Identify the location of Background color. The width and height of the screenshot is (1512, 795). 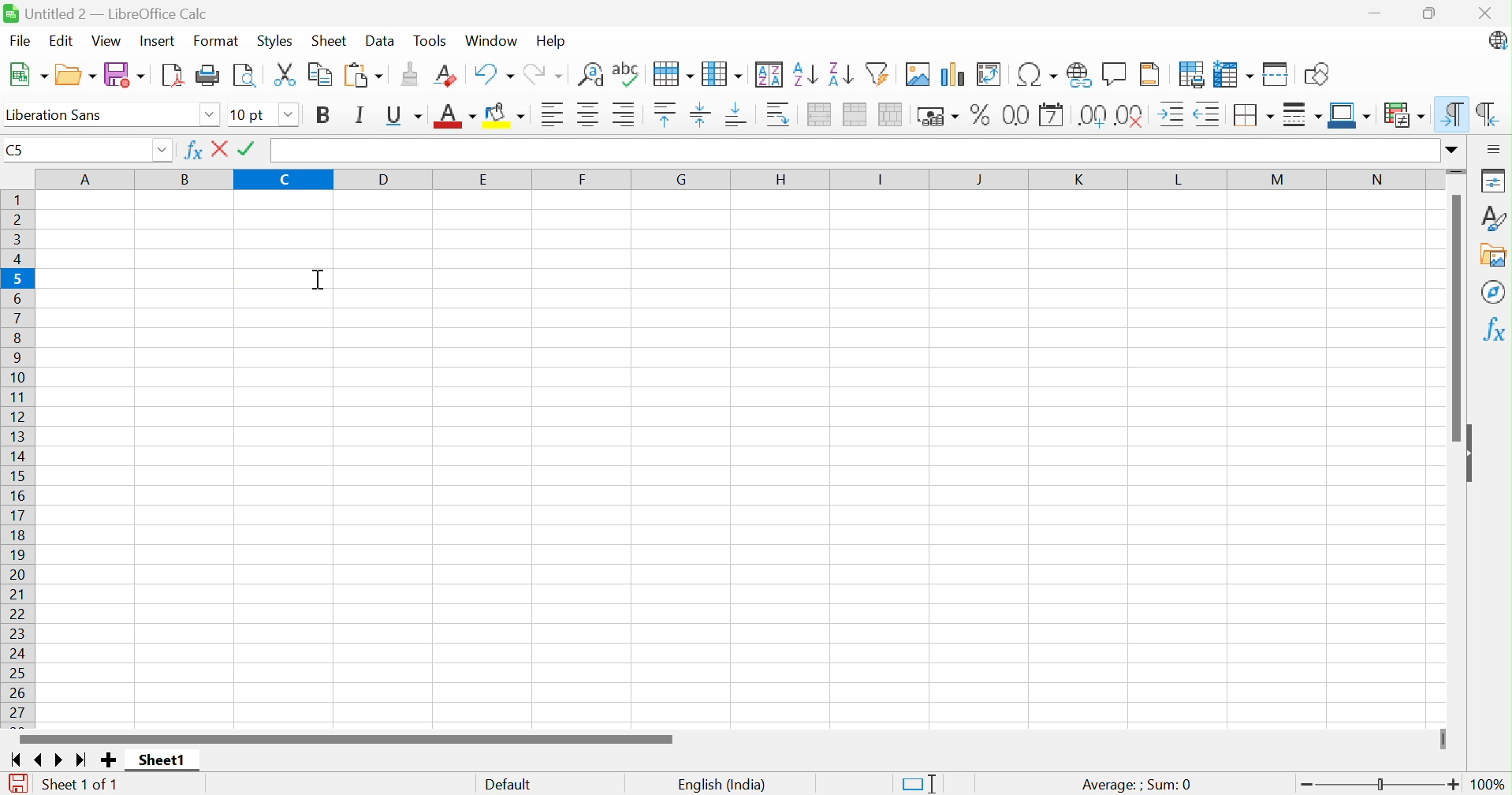
(508, 116).